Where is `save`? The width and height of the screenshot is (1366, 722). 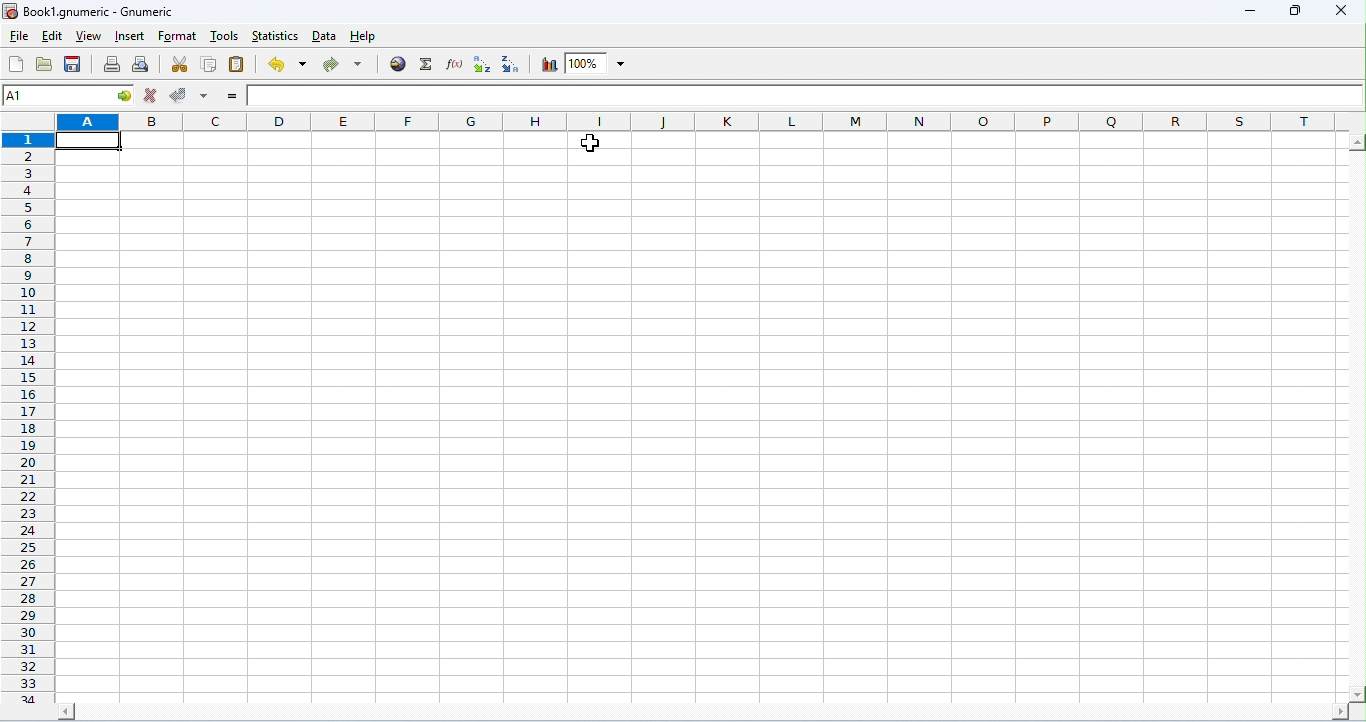 save is located at coordinates (73, 63).